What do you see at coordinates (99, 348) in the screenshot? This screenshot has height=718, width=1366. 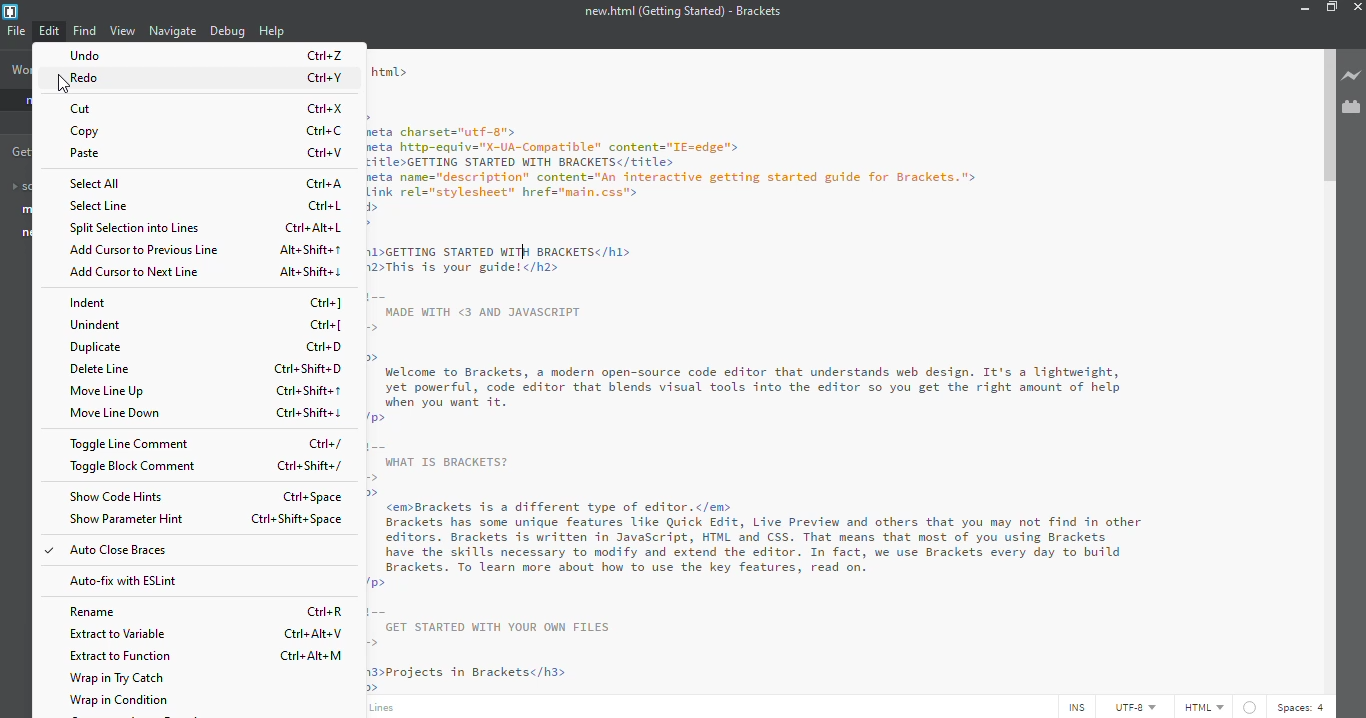 I see `duplicated` at bounding box center [99, 348].